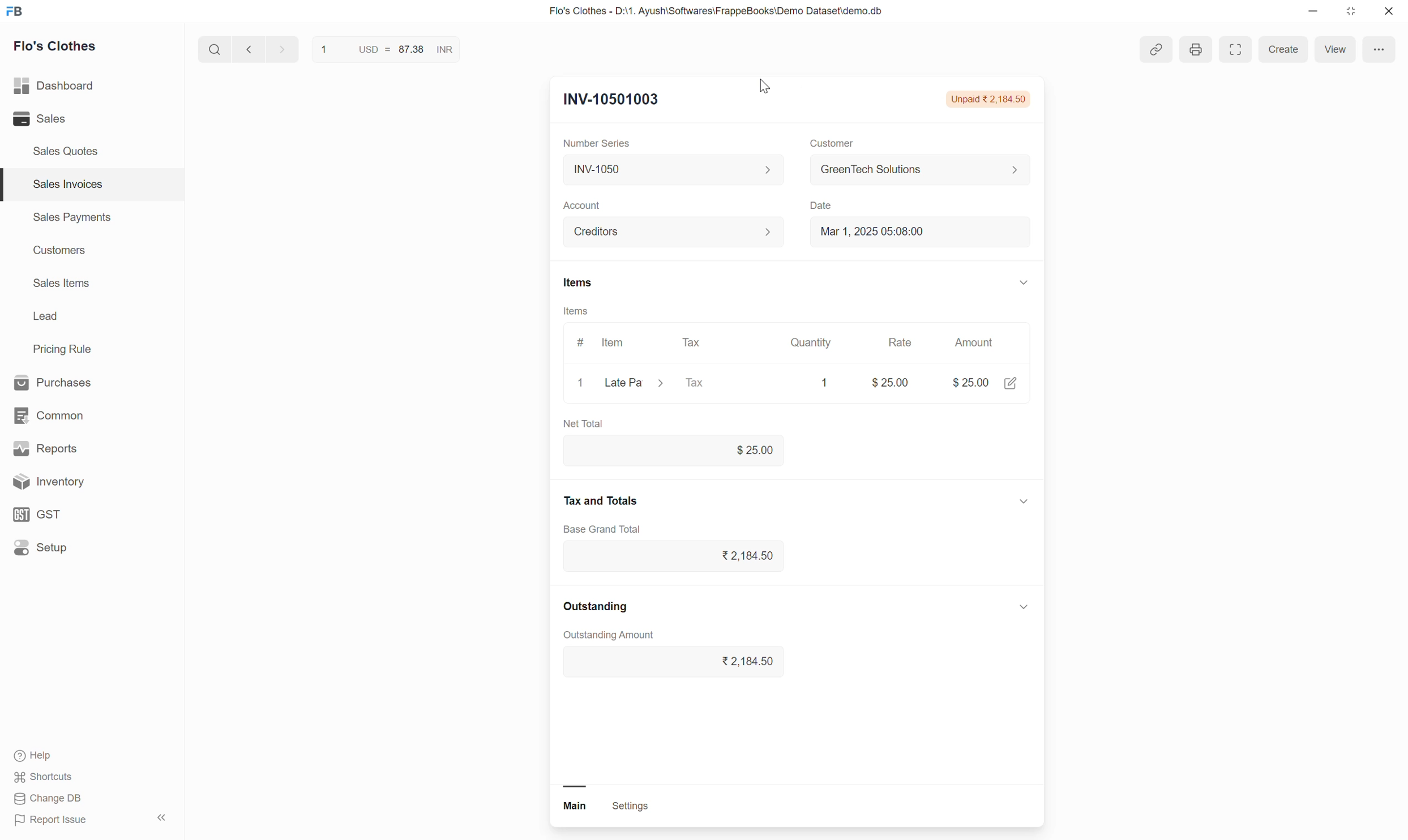 This screenshot has height=840, width=1408. I want to click on Net Total, so click(586, 420).